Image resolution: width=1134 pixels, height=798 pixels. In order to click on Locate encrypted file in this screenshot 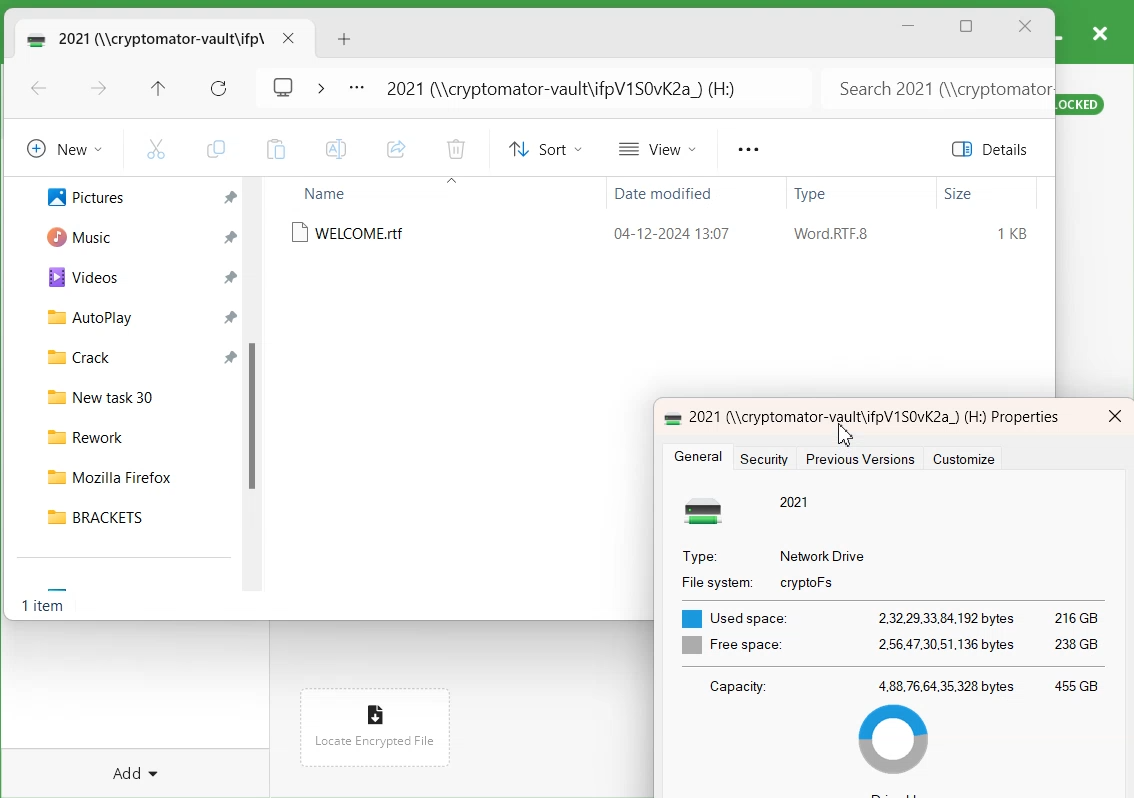, I will do `click(375, 740)`.